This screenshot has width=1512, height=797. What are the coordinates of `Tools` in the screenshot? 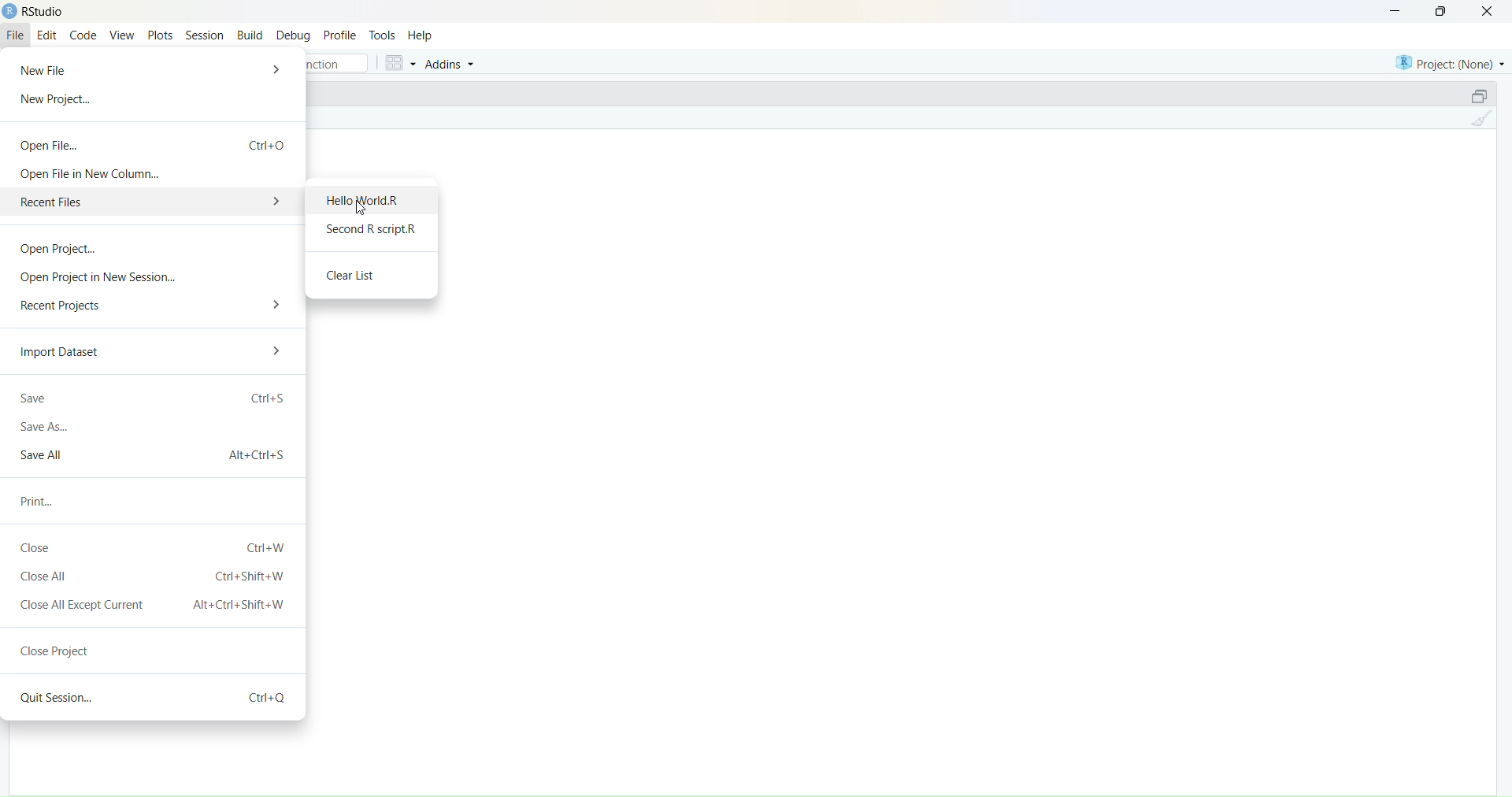 It's located at (384, 35).